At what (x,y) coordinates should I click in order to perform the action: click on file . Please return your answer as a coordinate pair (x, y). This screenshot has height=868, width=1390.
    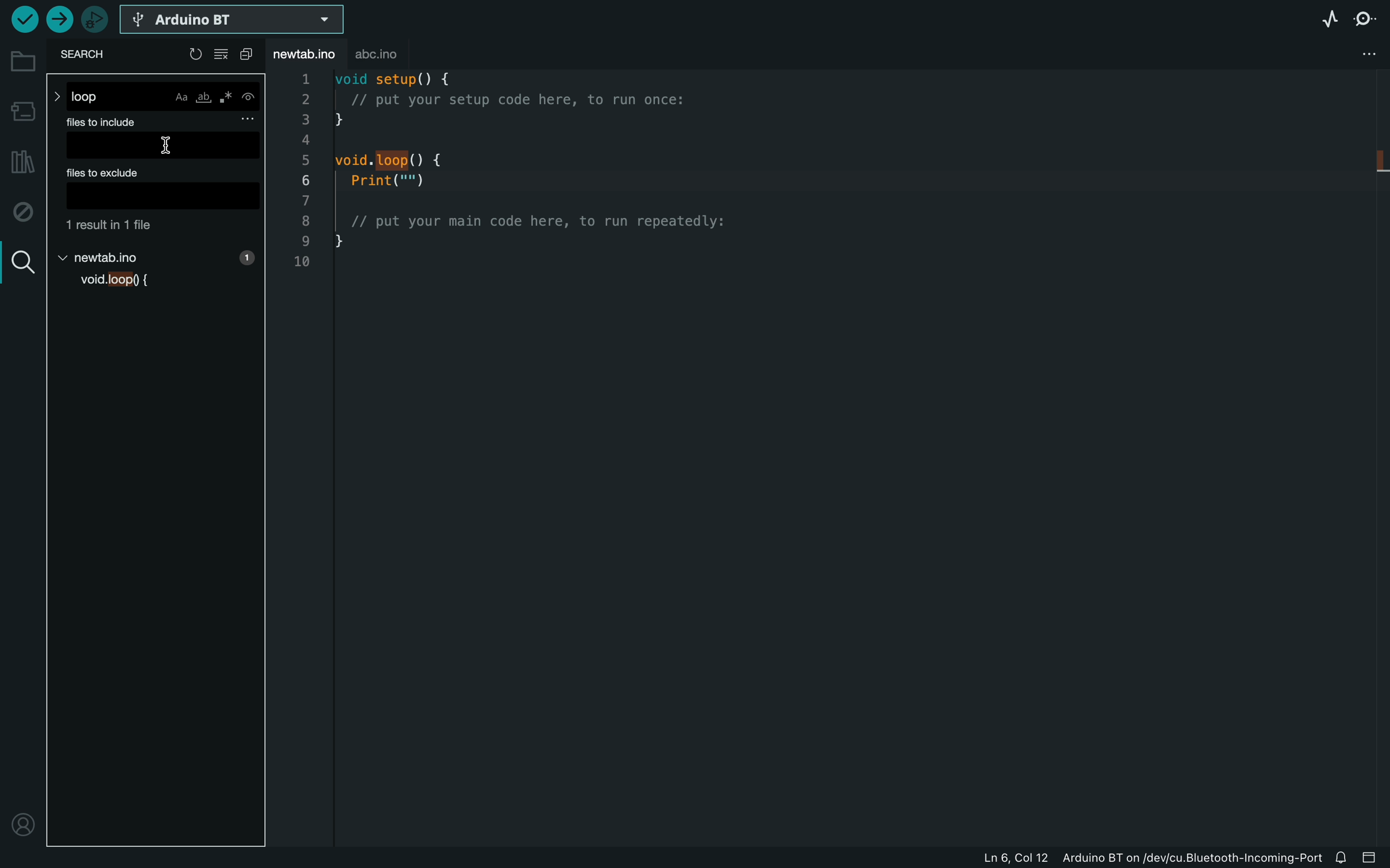
    Looking at the image, I should click on (157, 225).